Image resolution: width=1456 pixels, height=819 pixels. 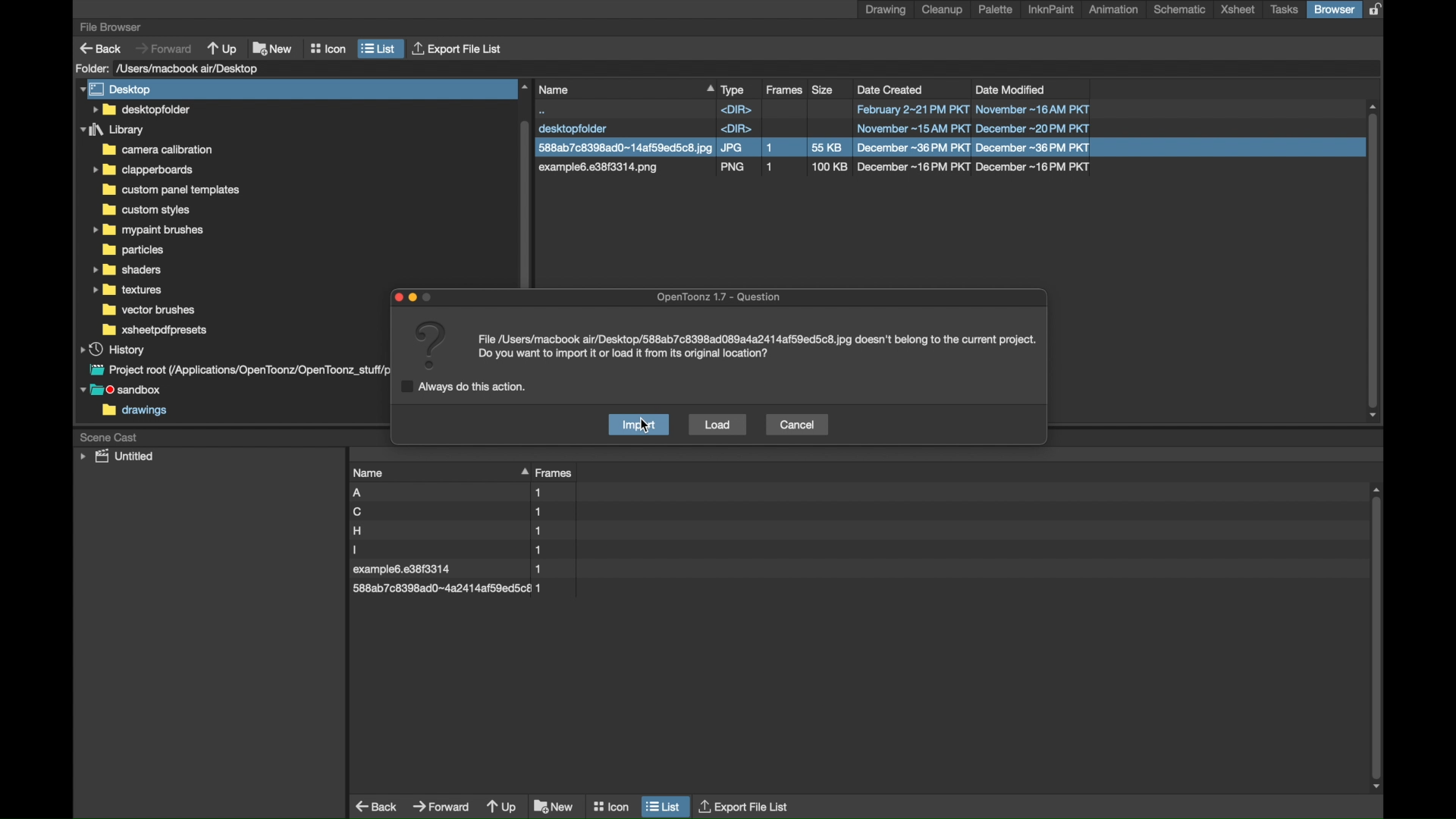 I want to click on frames, so click(x=557, y=473).